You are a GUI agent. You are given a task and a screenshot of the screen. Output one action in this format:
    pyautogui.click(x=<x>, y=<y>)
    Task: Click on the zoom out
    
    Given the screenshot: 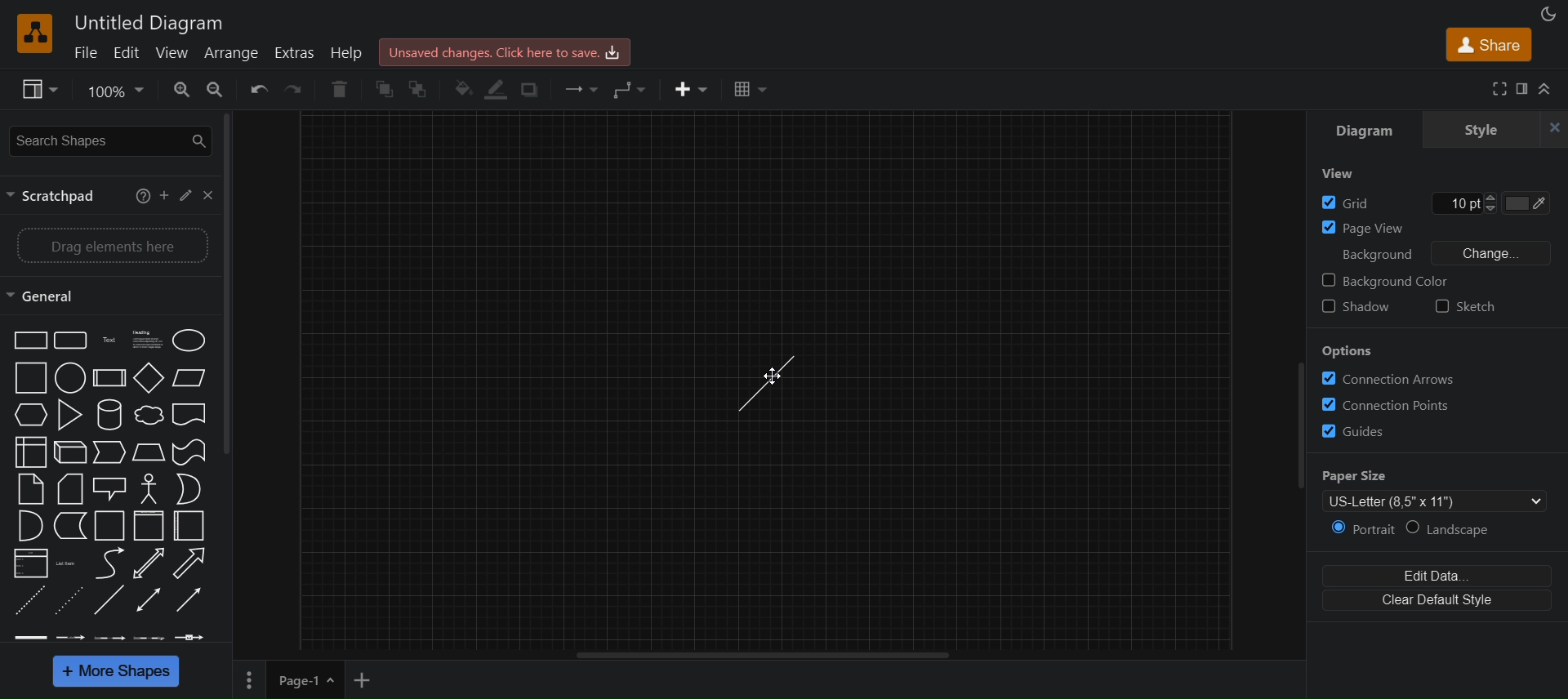 What is the action you would take?
    pyautogui.click(x=217, y=89)
    